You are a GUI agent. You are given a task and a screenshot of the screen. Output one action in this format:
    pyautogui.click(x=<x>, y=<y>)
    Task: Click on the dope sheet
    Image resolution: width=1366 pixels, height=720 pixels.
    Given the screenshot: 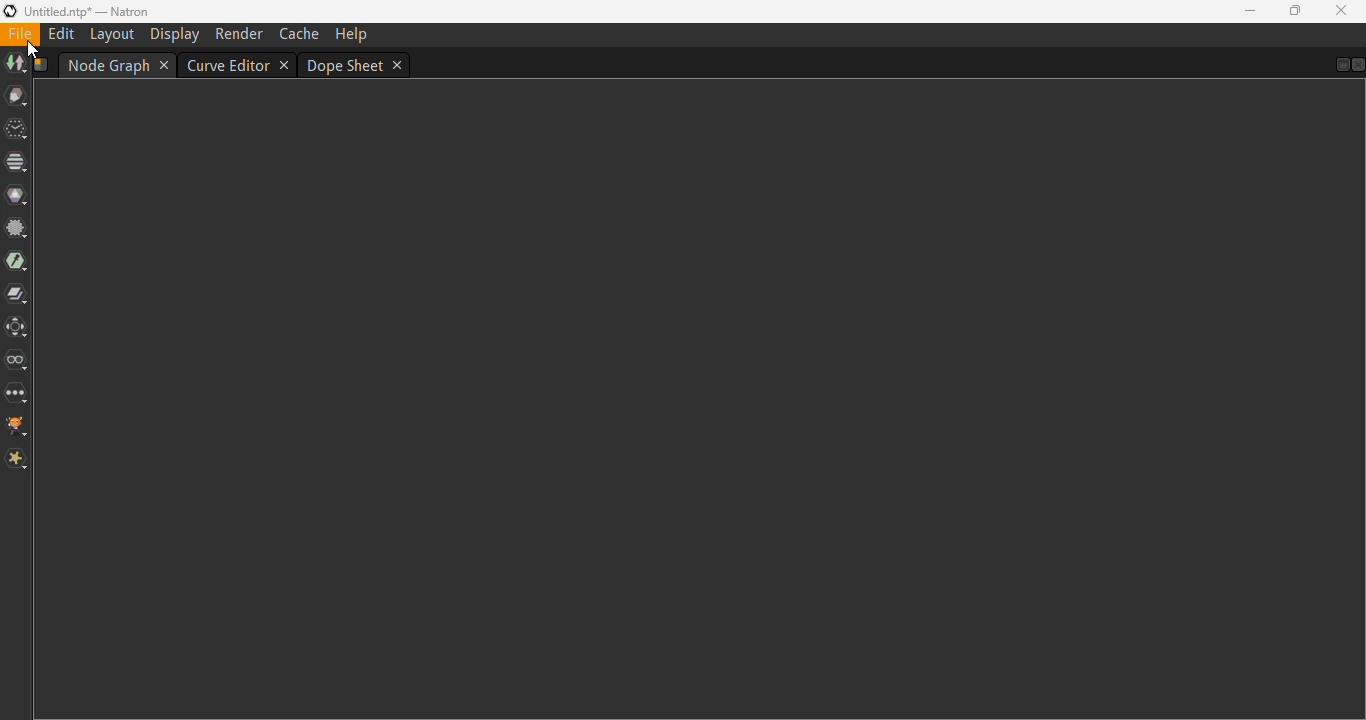 What is the action you would take?
    pyautogui.click(x=346, y=66)
    